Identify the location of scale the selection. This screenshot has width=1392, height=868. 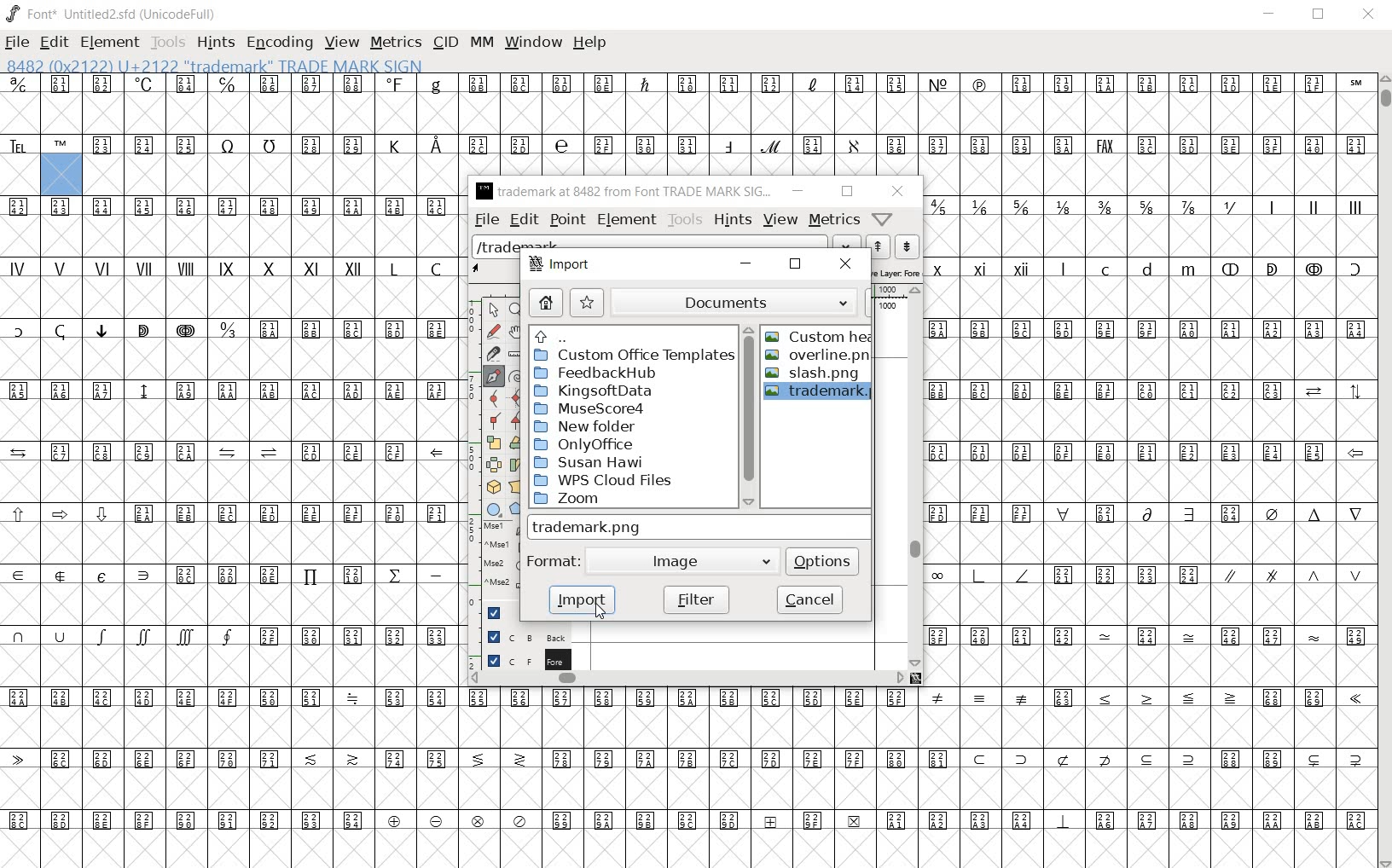
(494, 441).